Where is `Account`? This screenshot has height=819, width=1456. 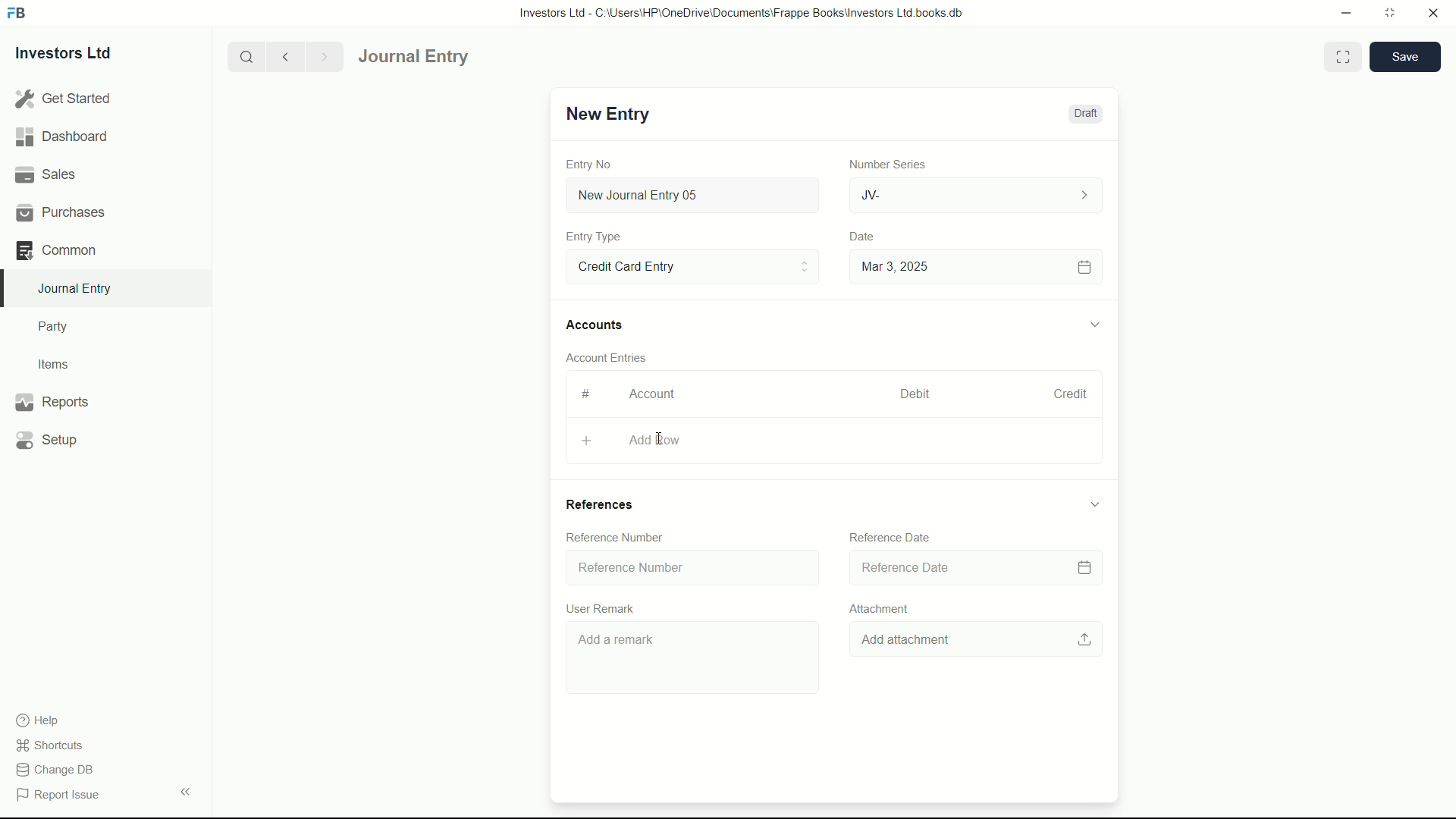
Account is located at coordinates (653, 394).